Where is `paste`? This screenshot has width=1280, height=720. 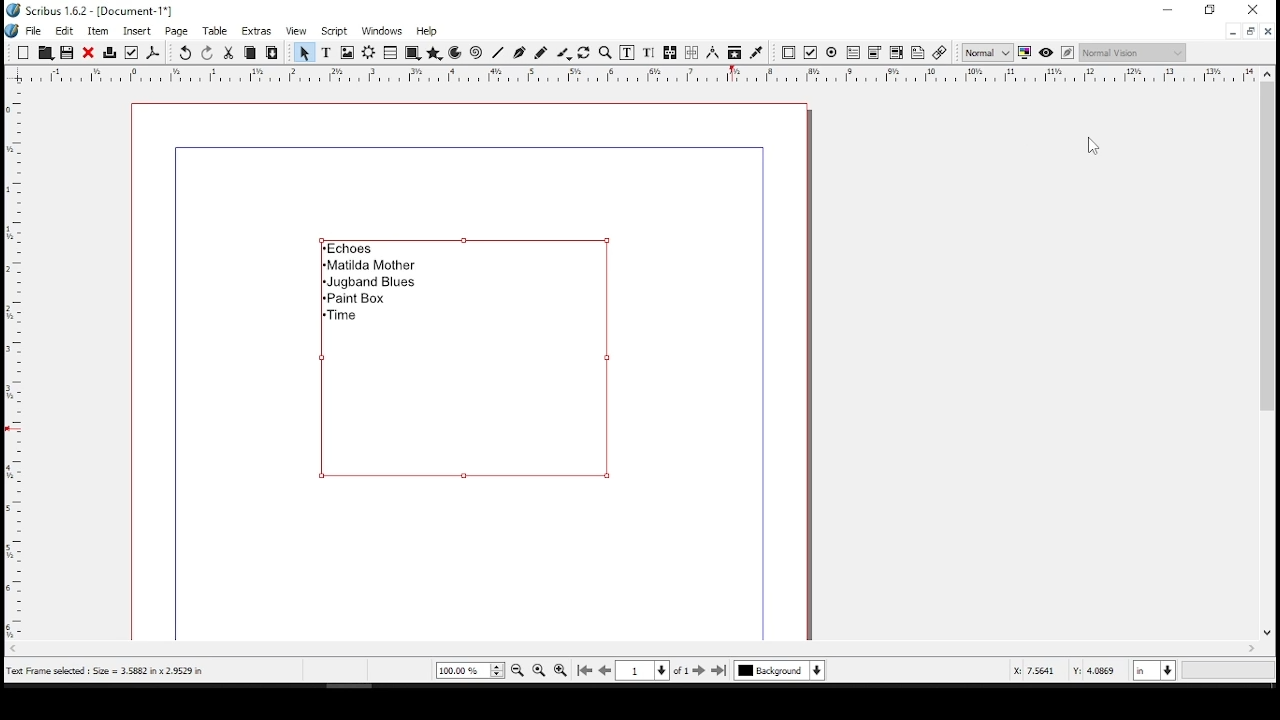 paste is located at coordinates (273, 53).